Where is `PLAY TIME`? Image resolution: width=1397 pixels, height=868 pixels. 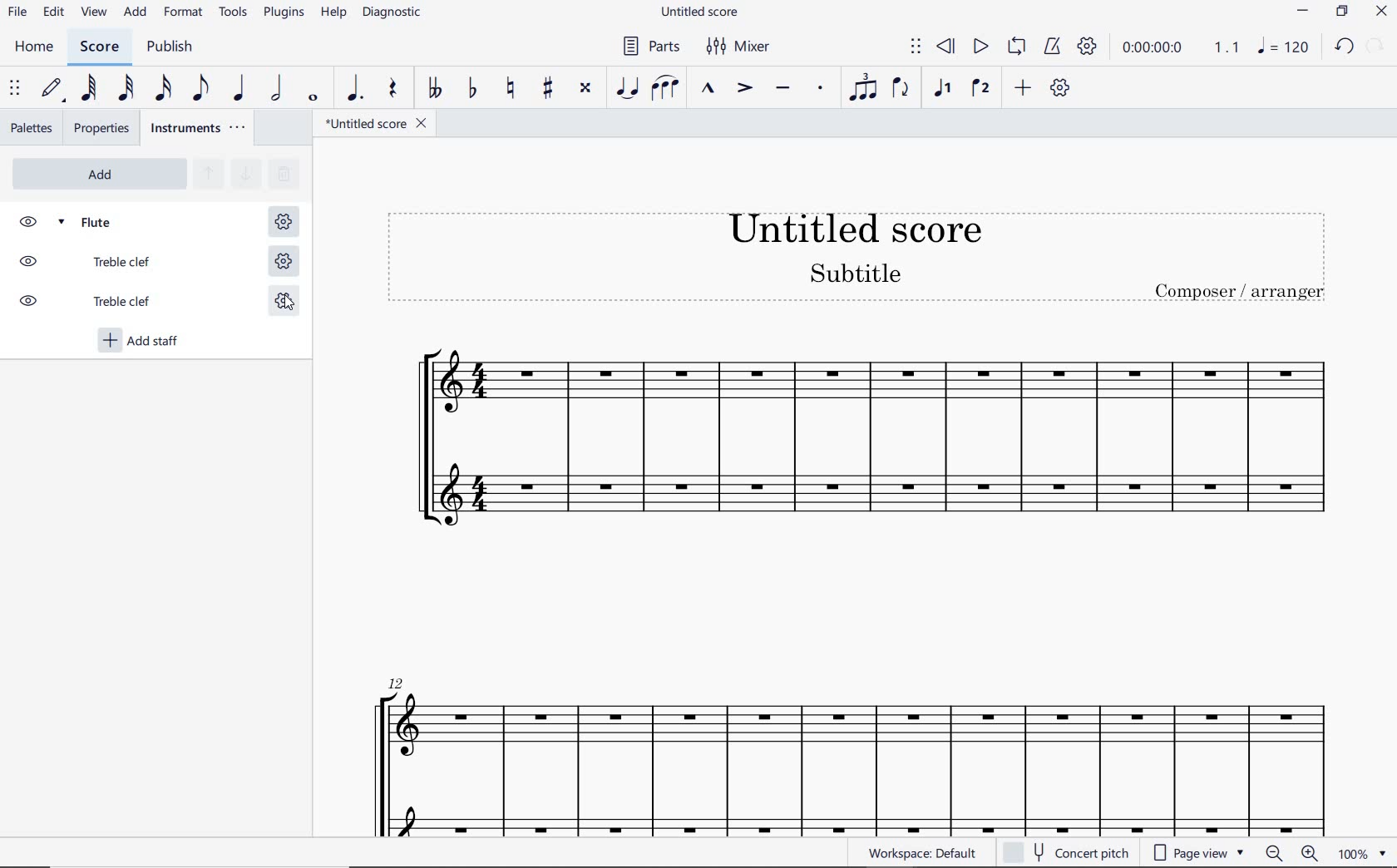 PLAY TIME is located at coordinates (1178, 47).